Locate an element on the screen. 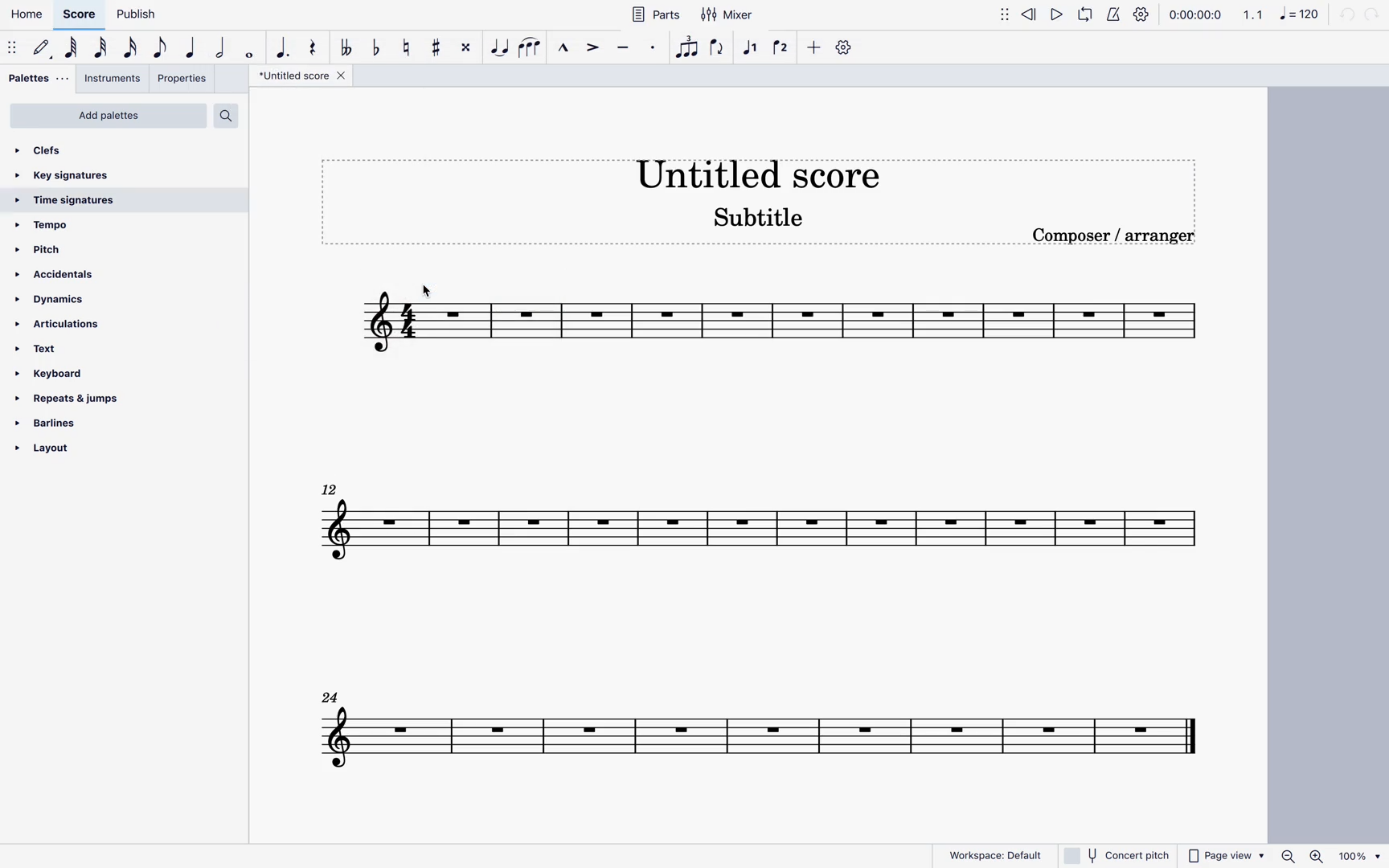 This screenshot has height=868, width=1389. zoom in is located at coordinates (1317, 855).